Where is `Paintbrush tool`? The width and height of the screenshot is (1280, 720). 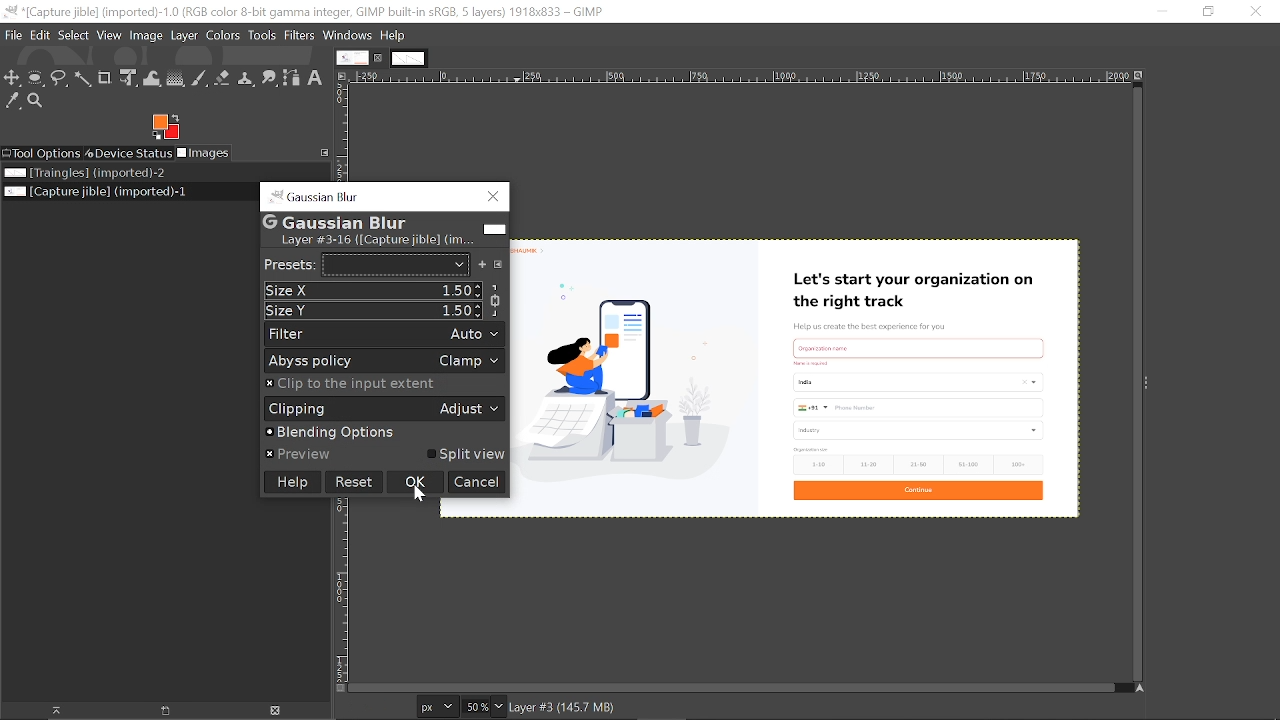 Paintbrush tool is located at coordinates (199, 78).